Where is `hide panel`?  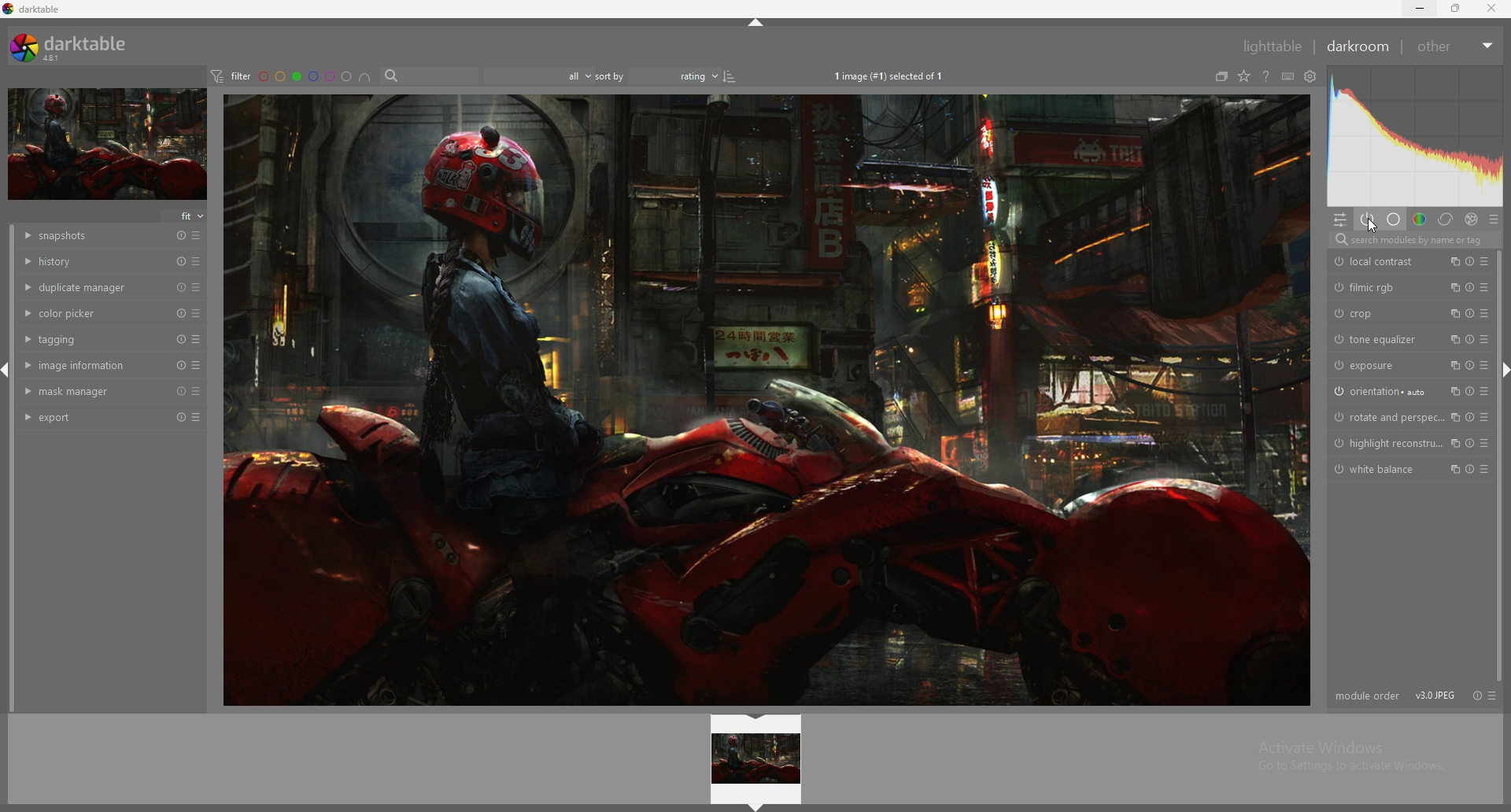
hide panel is located at coordinates (761, 23).